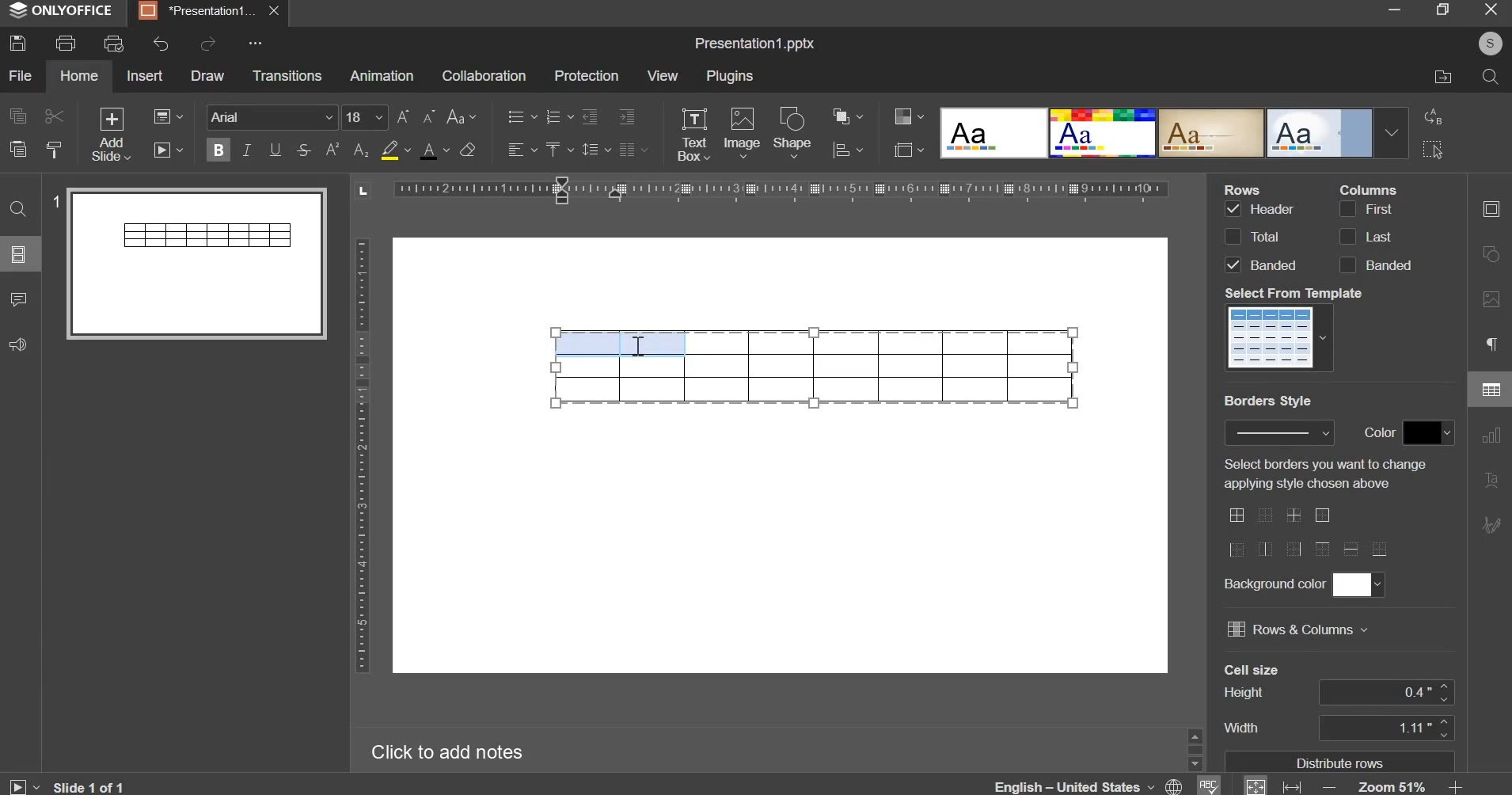  What do you see at coordinates (1322, 474) in the screenshot?
I see `Select borders you want to change applying style chosen above` at bounding box center [1322, 474].